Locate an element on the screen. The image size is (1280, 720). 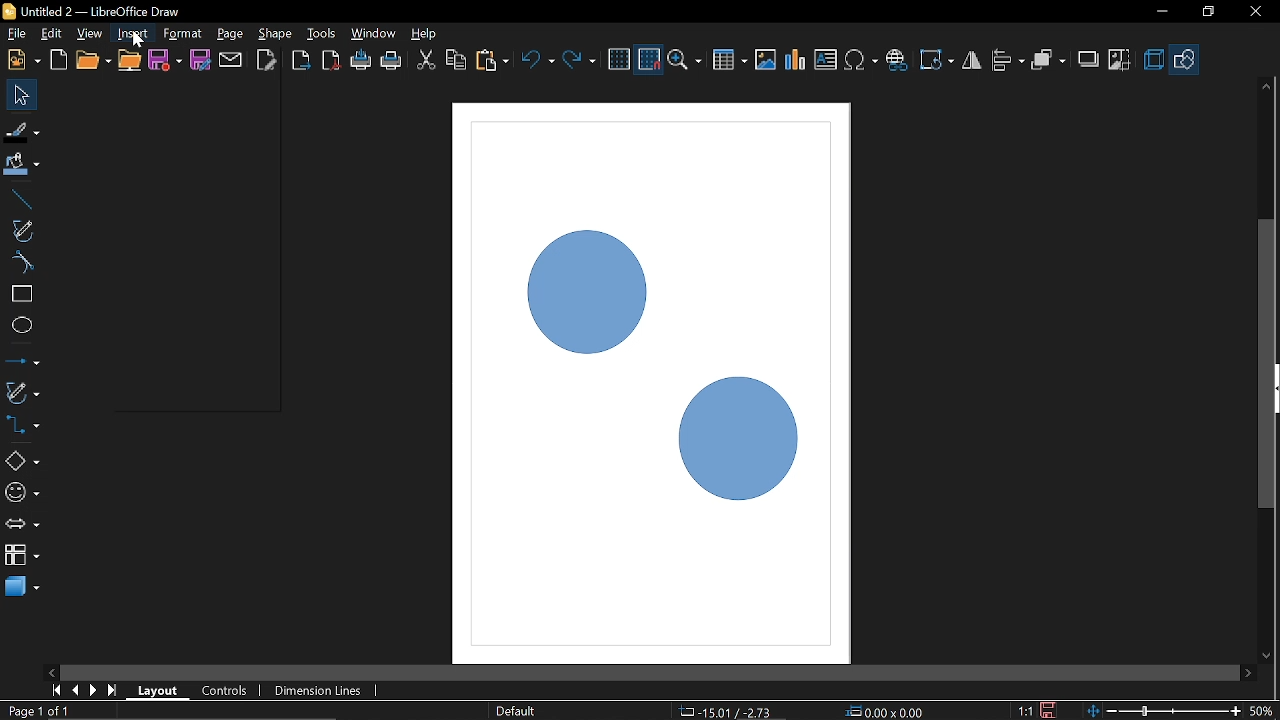
New is located at coordinates (22, 60).